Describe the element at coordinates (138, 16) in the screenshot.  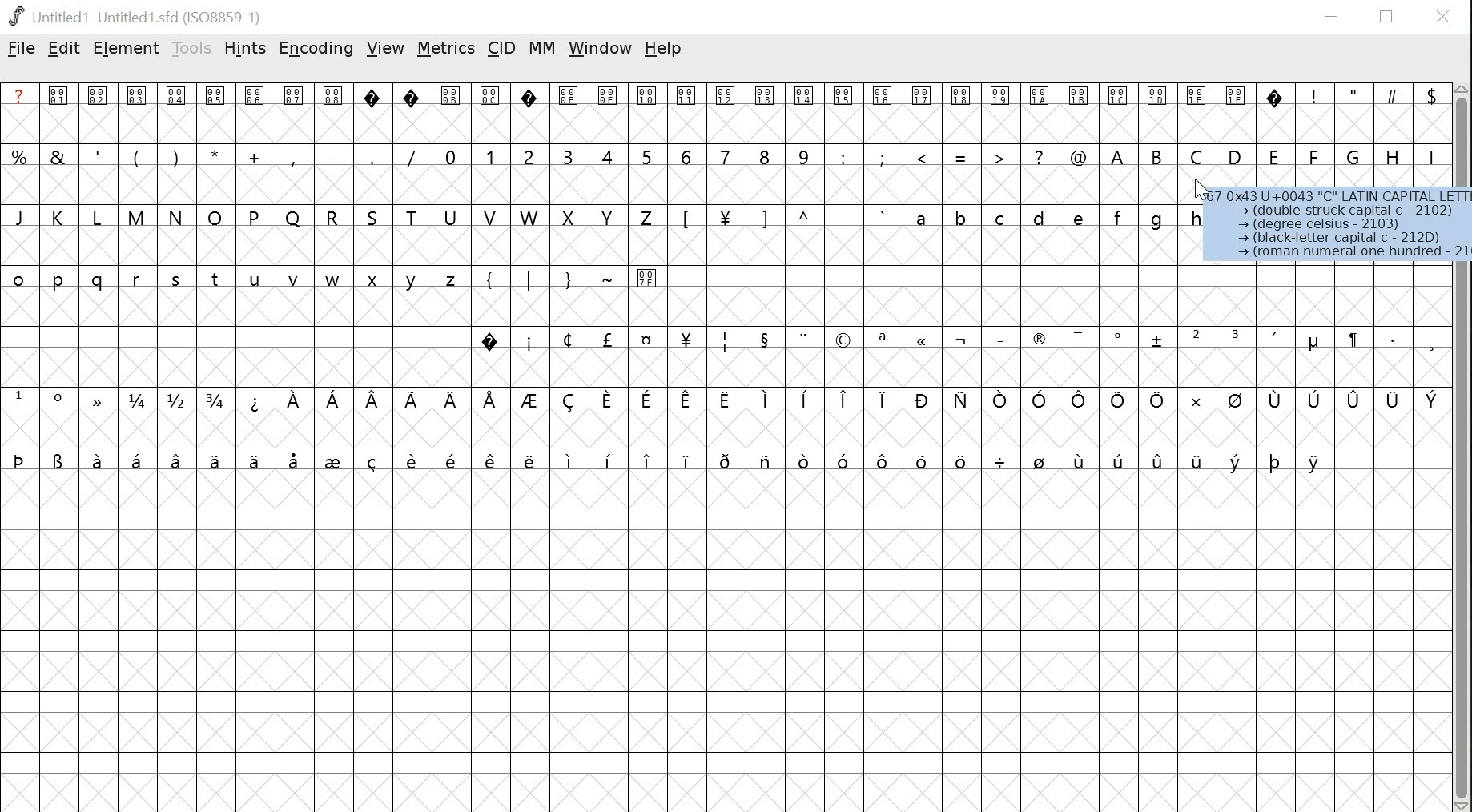
I see `Untitled1 Untitled 1.sfd (IS08859-1)` at that location.